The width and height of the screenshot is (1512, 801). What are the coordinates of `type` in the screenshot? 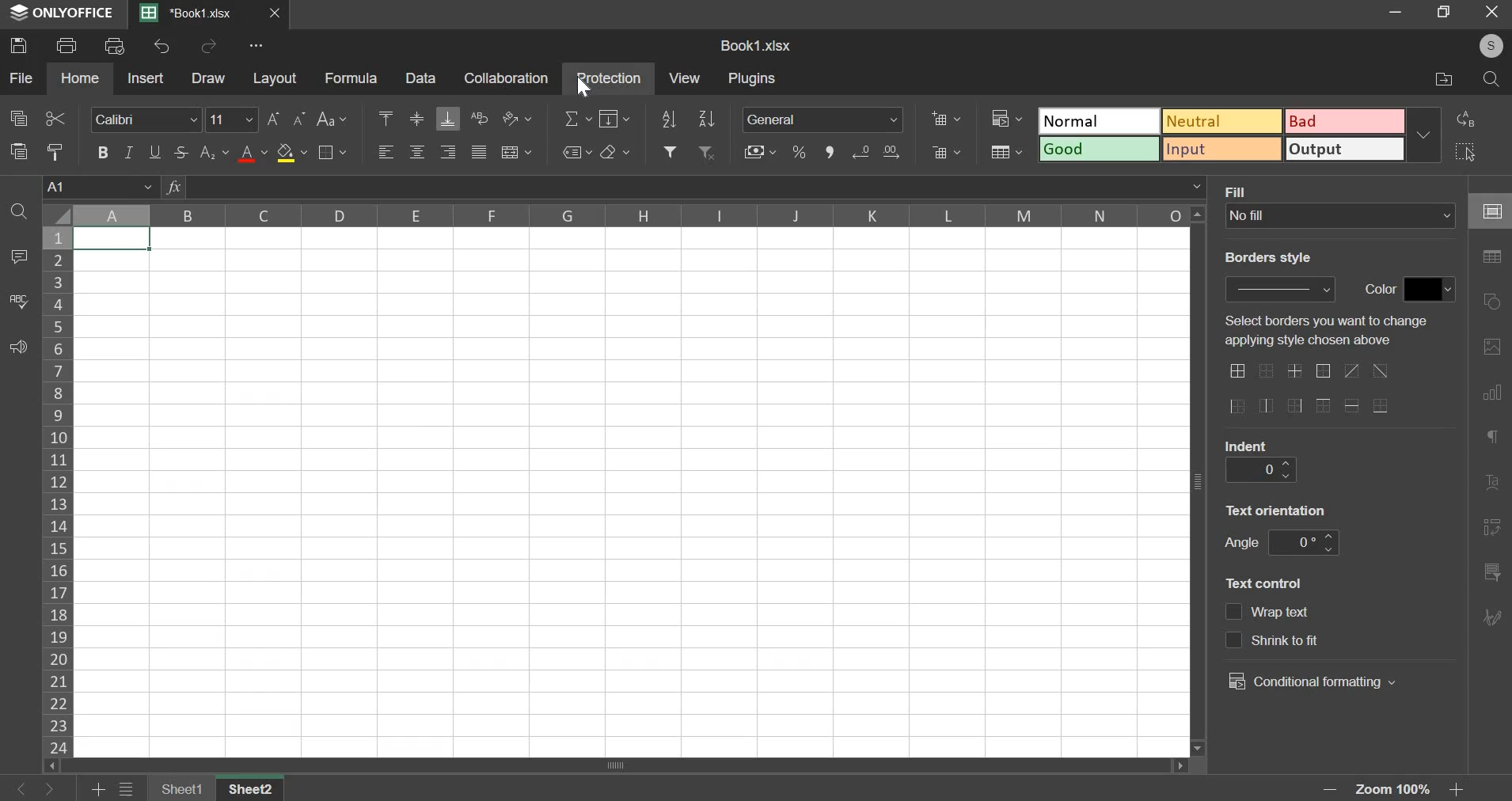 It's located at (1241, 135).